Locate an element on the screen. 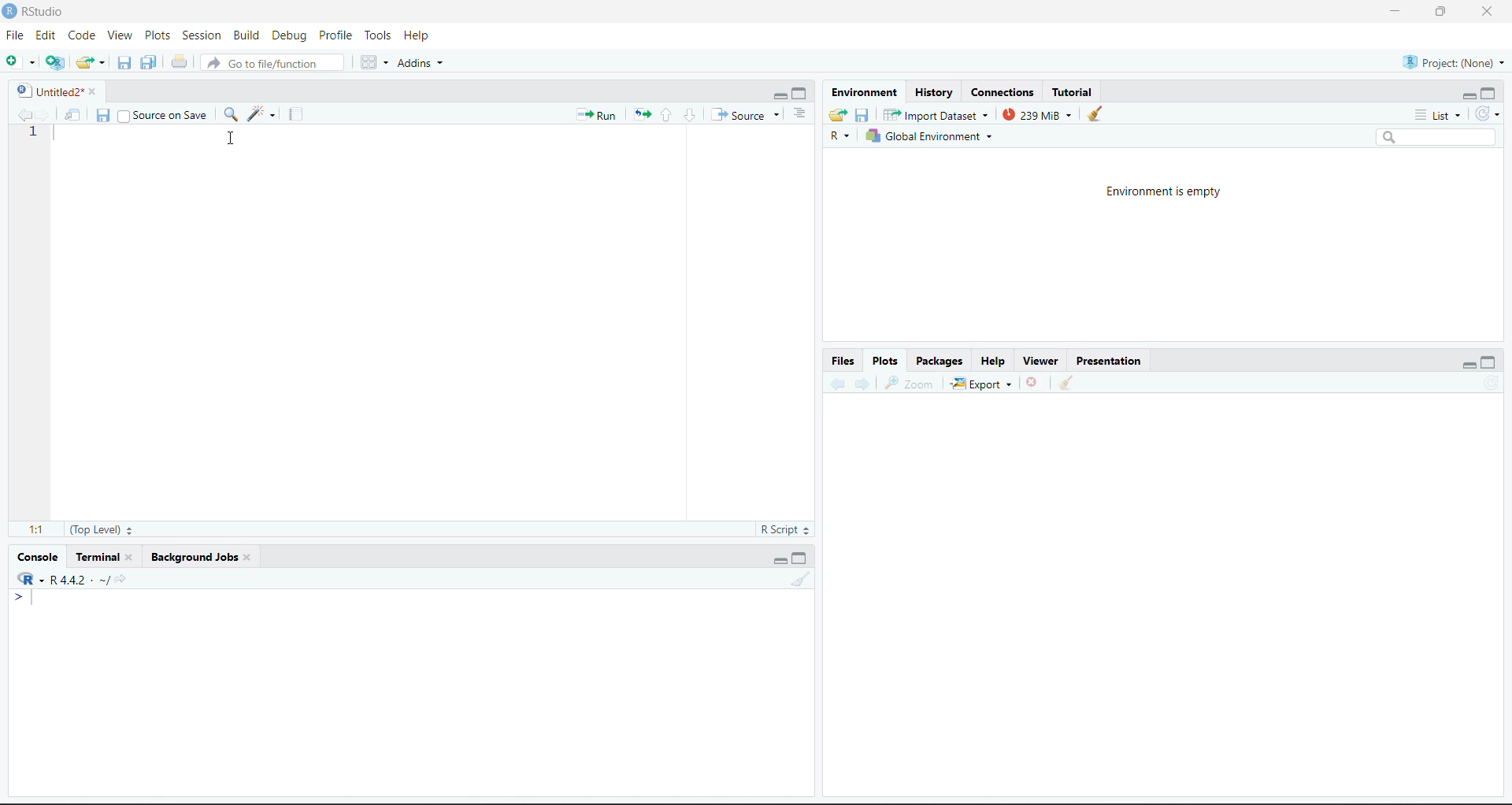 Image resolution: width=1512 pixels, height=805 pixels. Save current document (Ctrl + S) is located at coordinates (103, 114).